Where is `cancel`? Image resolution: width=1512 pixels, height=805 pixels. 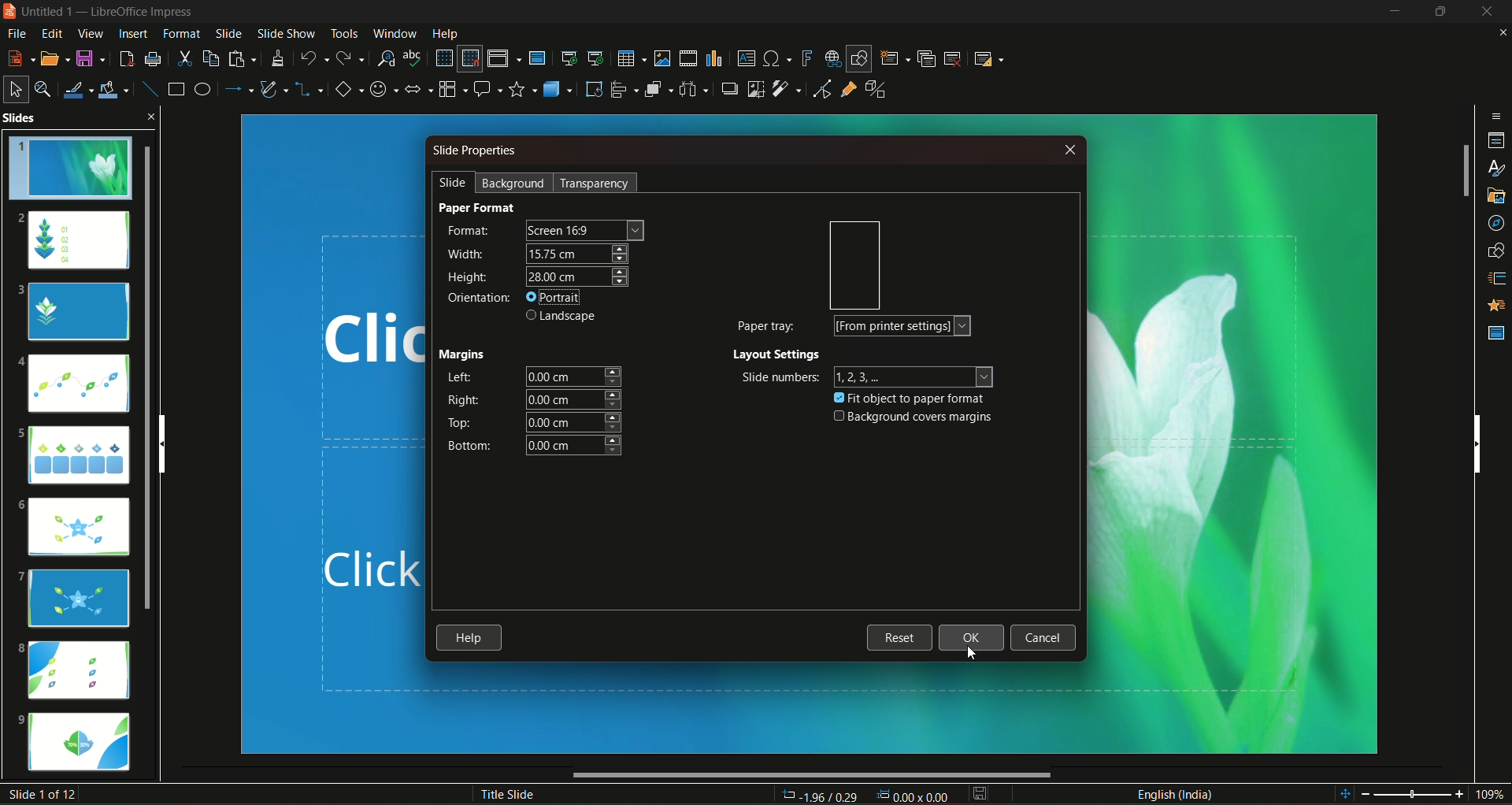
cancel is located at coordinates (1042, 639).